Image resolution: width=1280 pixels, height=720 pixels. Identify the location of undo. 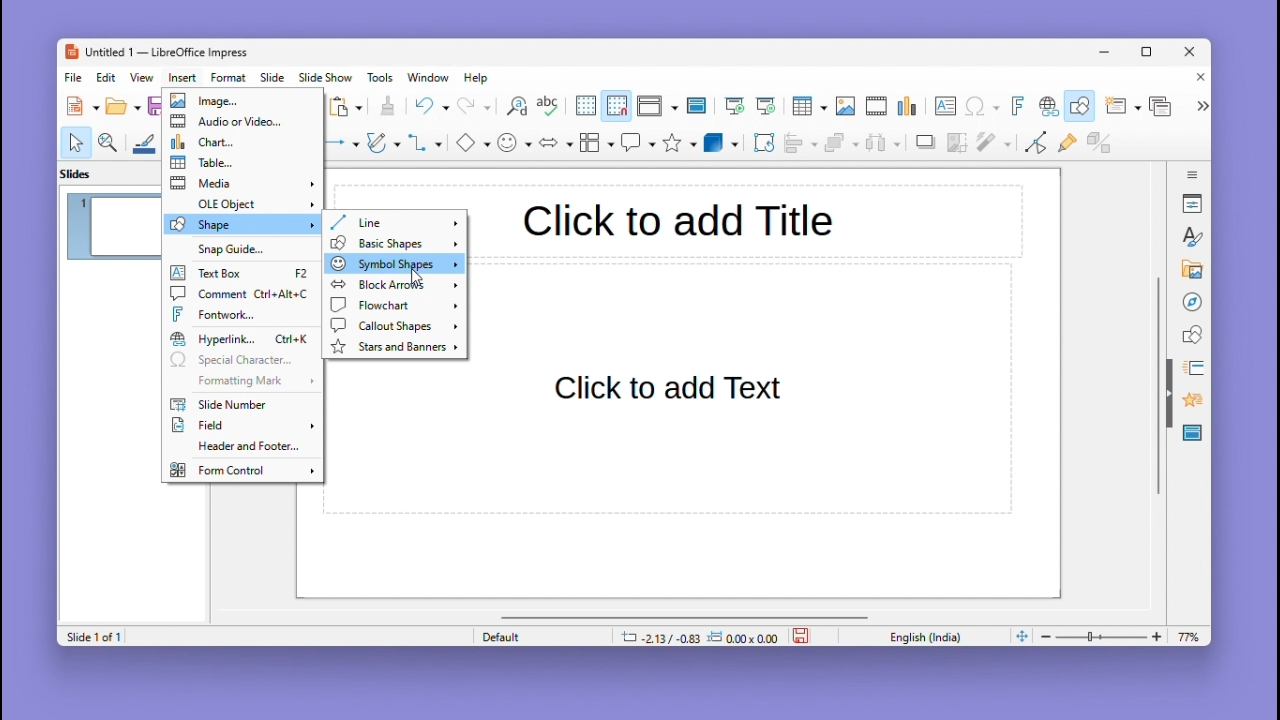
(431, 106).